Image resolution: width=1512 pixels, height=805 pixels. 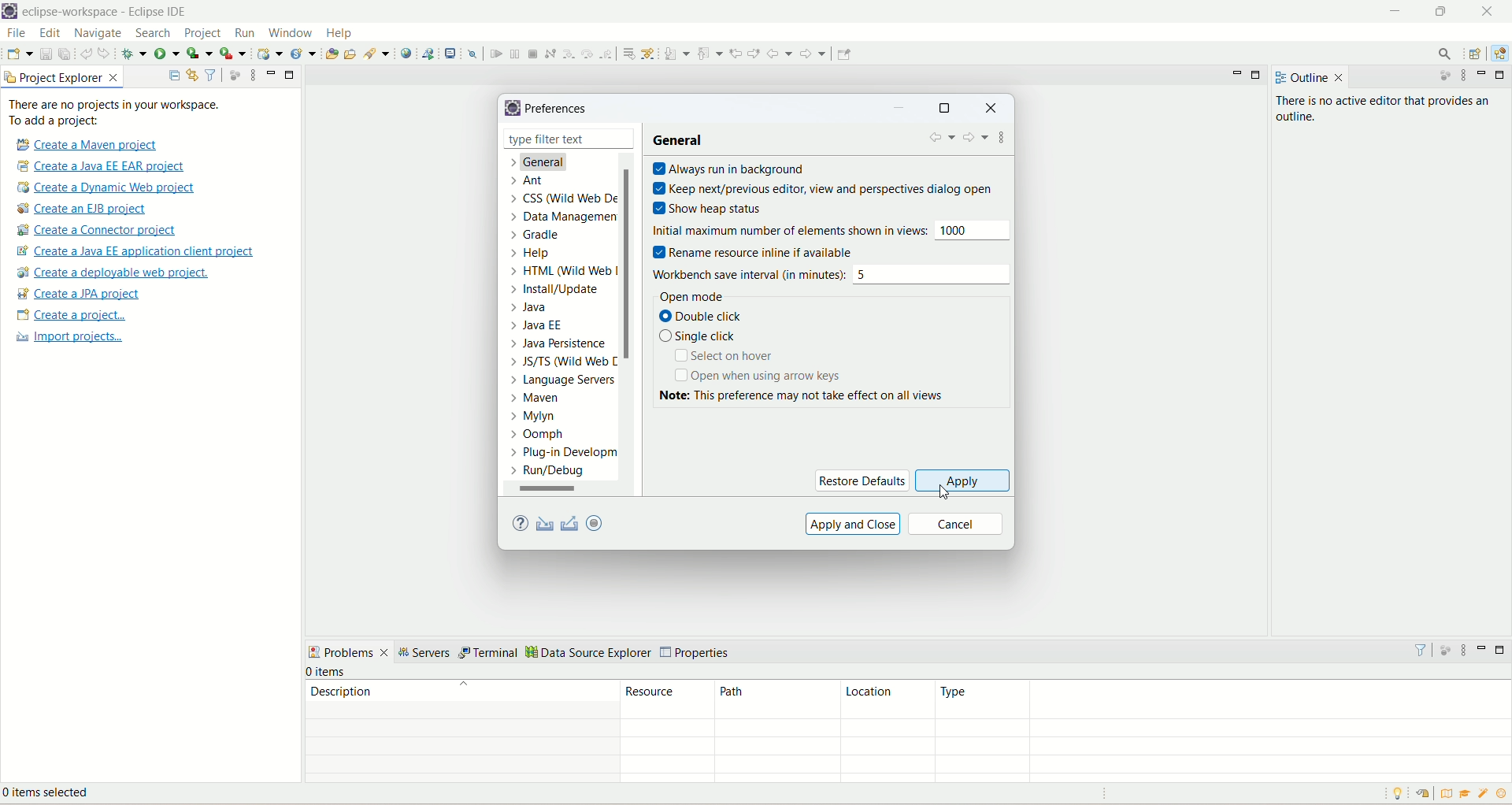 What do you see at coordinates (65, 53) in the screenshot?
I see `save all` at bounding box center [65, 53].